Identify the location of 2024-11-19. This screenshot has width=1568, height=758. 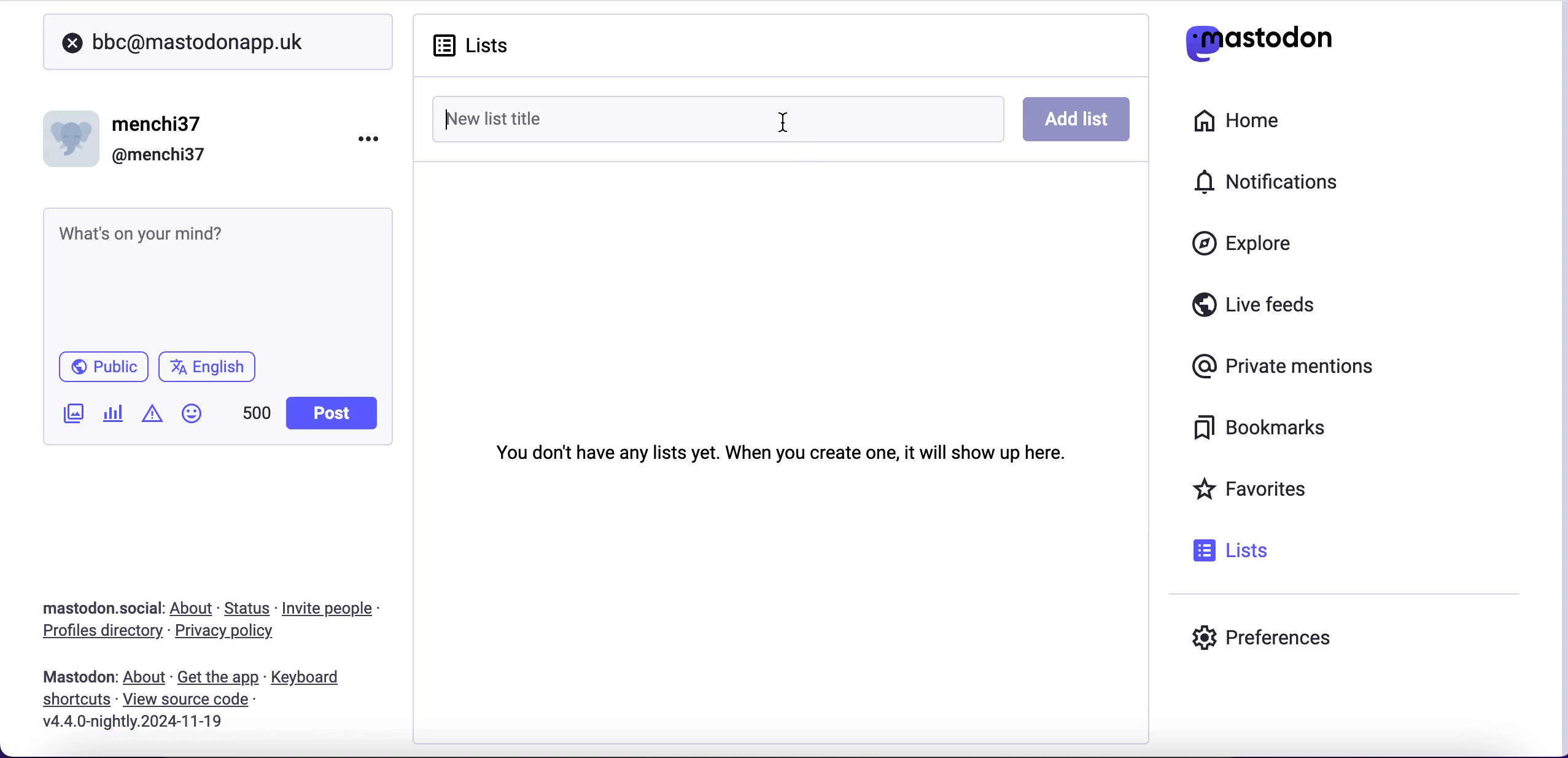
(142, 721).